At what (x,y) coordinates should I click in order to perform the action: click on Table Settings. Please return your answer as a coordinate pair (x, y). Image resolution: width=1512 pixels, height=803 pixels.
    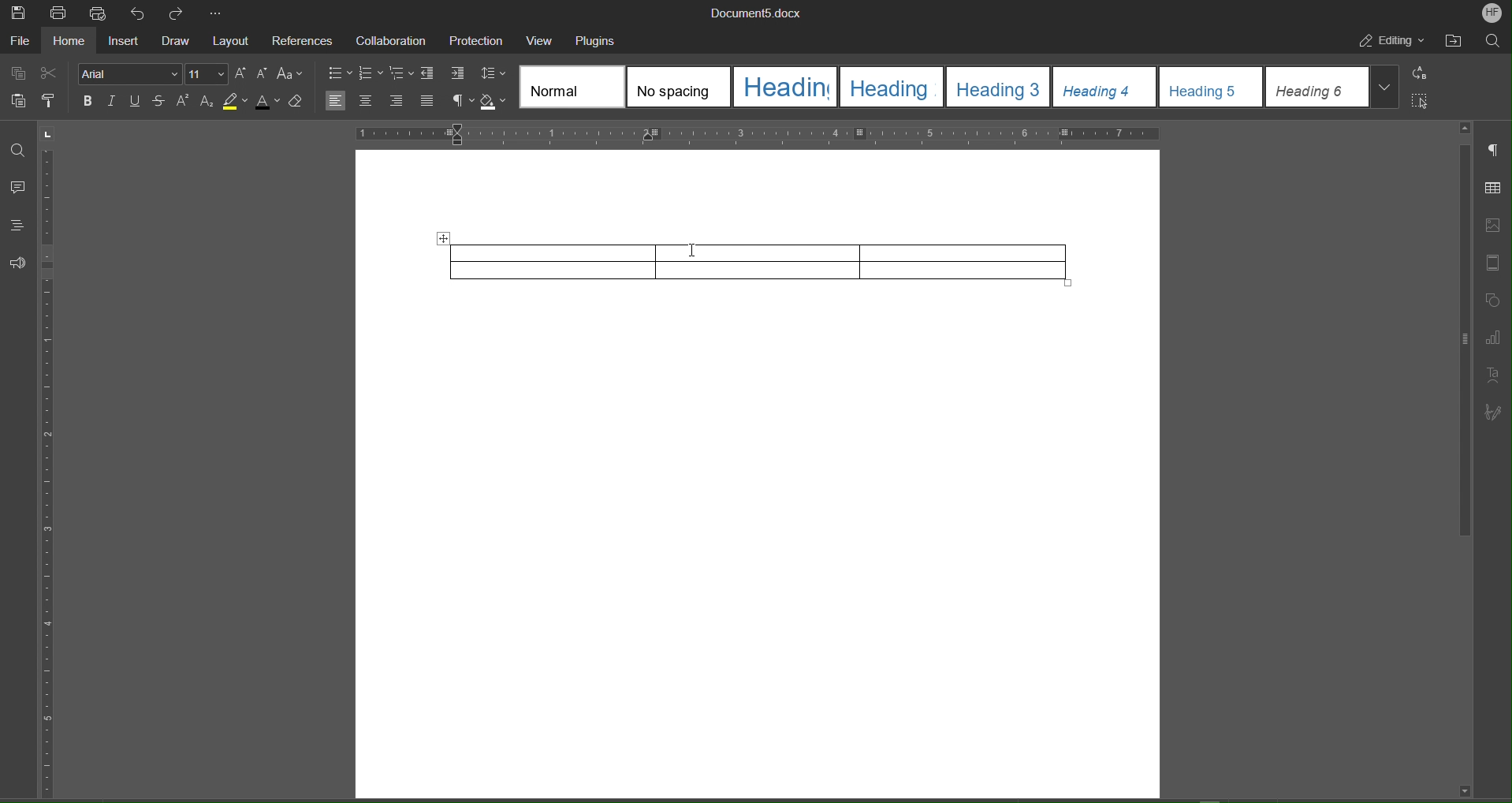
    Looking at the image, I should click on (1495, 187).